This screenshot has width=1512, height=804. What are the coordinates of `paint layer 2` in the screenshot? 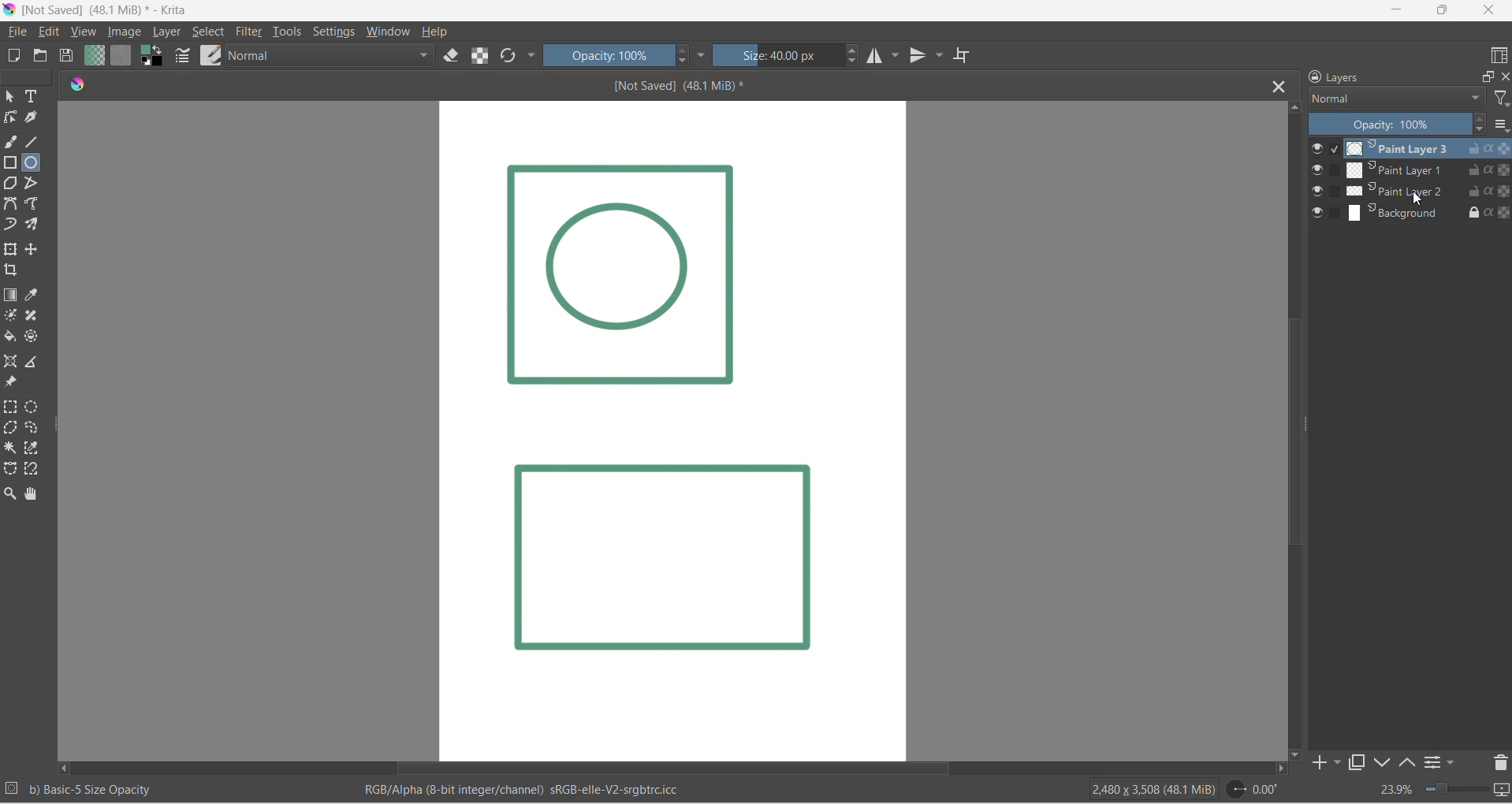 It's located at (1397, 192).